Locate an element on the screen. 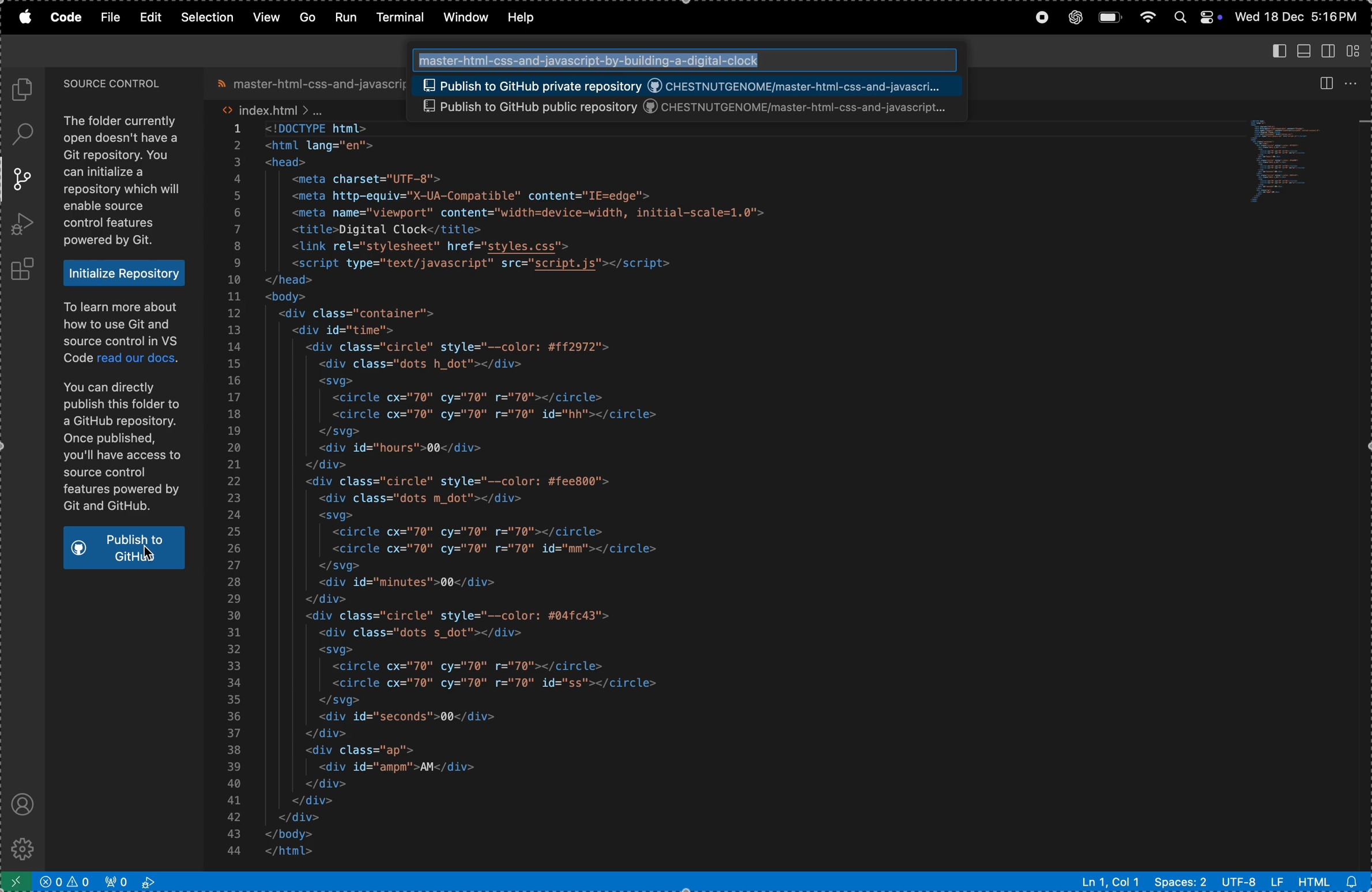 This screenshot has height=892, width=1372. </div> is located at coordinates (329, 599).